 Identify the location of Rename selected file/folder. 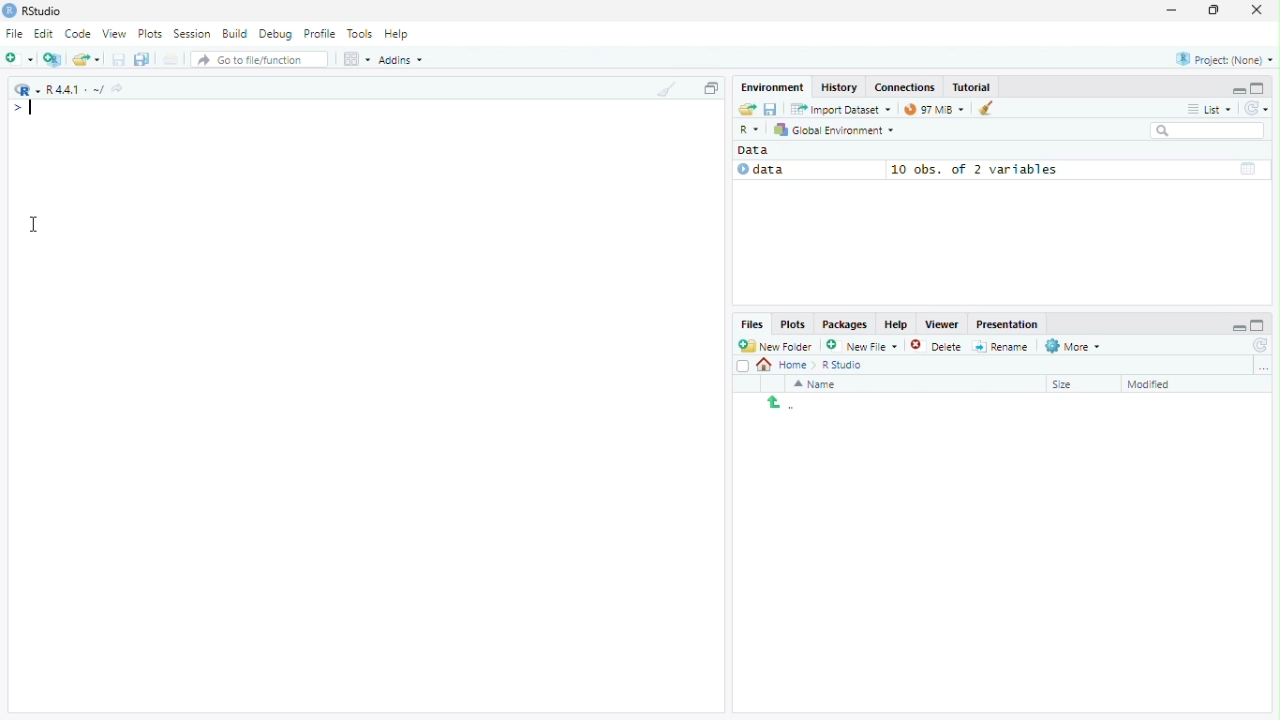
(1001, 345).